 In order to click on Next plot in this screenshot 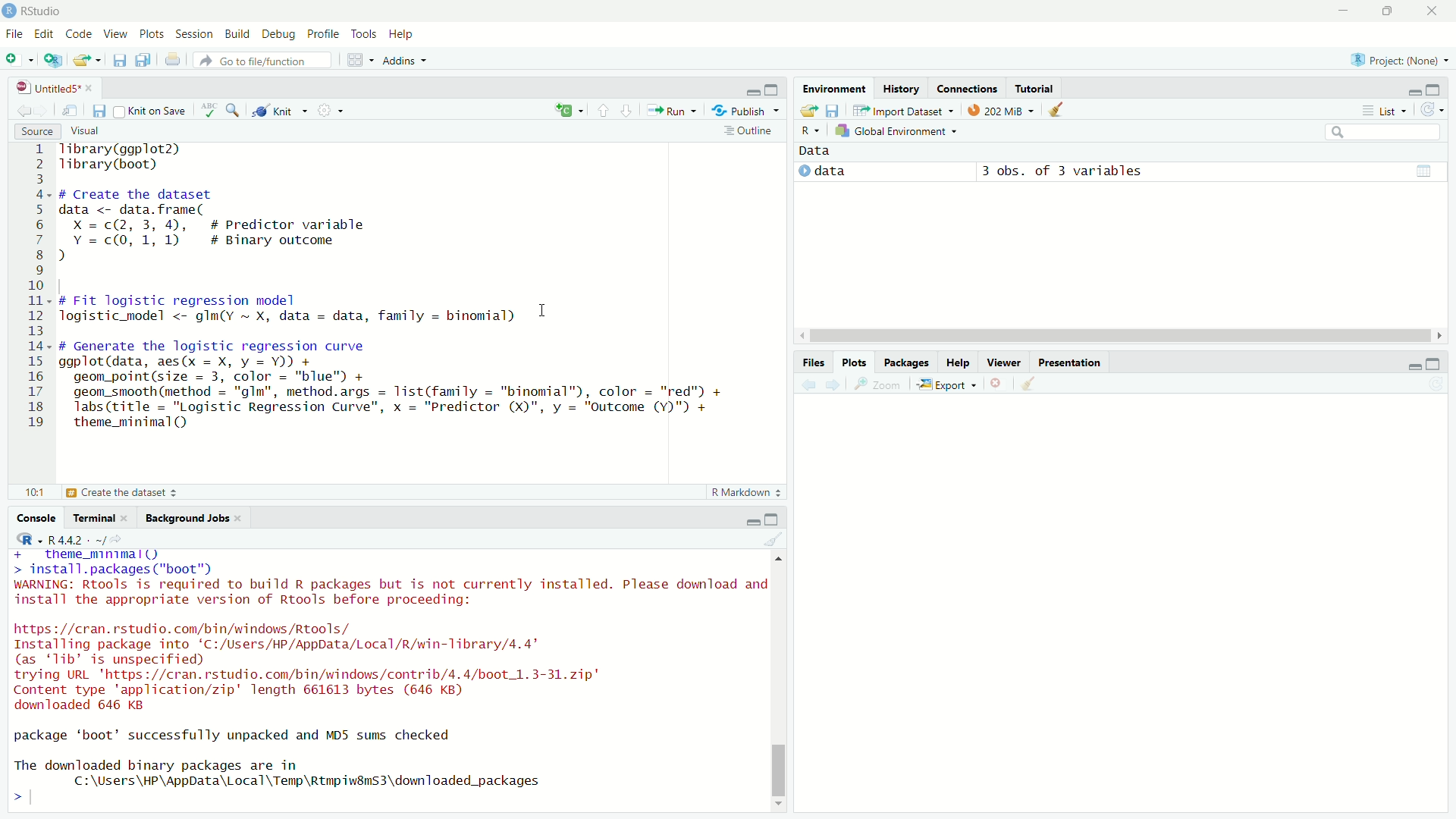, I will do `click(833, 384)`.